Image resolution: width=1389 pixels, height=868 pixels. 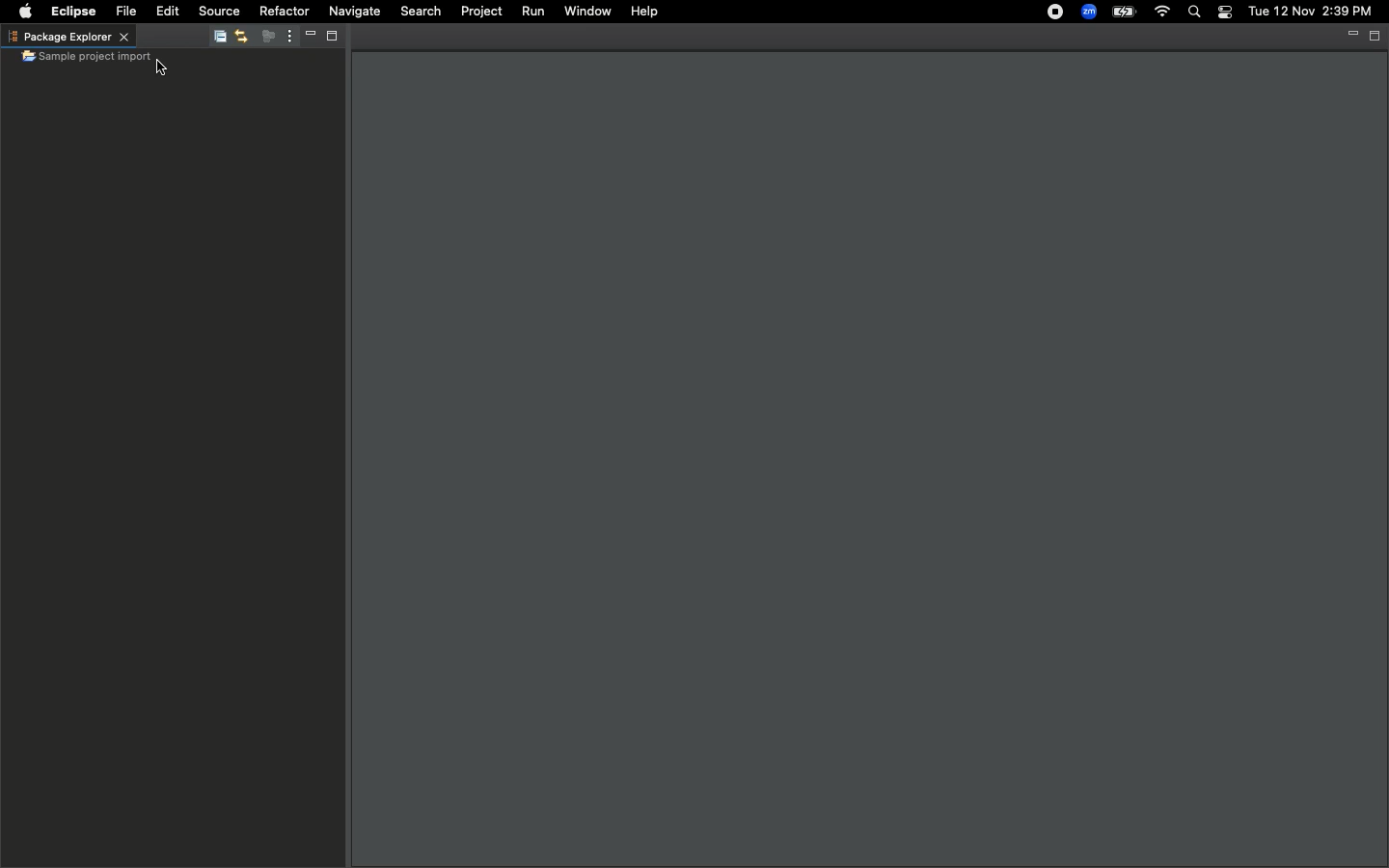 What do you see at coordinates (216, 40) in the screenshot?
I see `Collapse all` at bounding box center [216, 40].